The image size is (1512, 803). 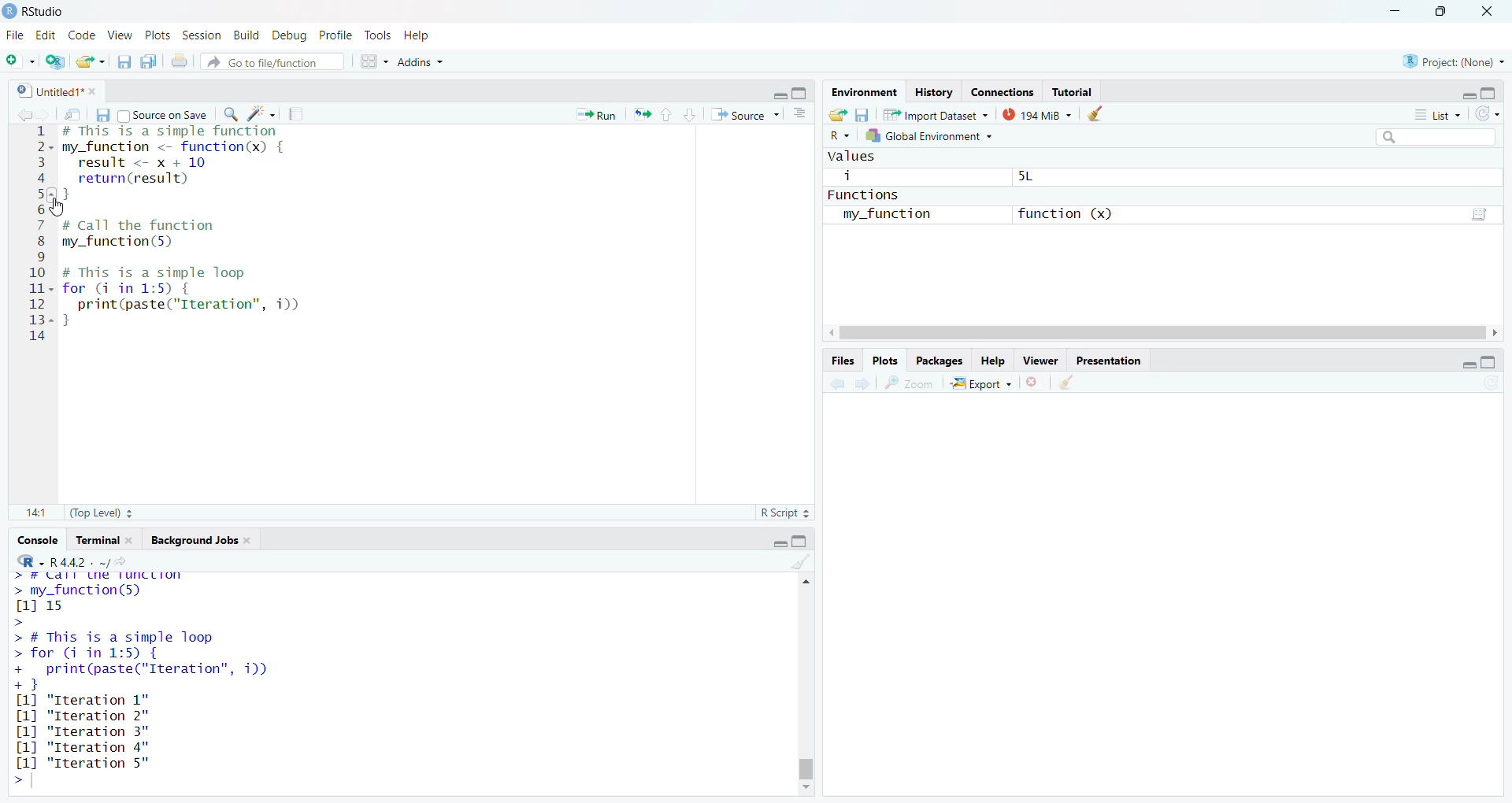 What do you see at coordinates (1455, 62) in the screenshot?
I see `project: (None)` at bounding box center [1455, 62].